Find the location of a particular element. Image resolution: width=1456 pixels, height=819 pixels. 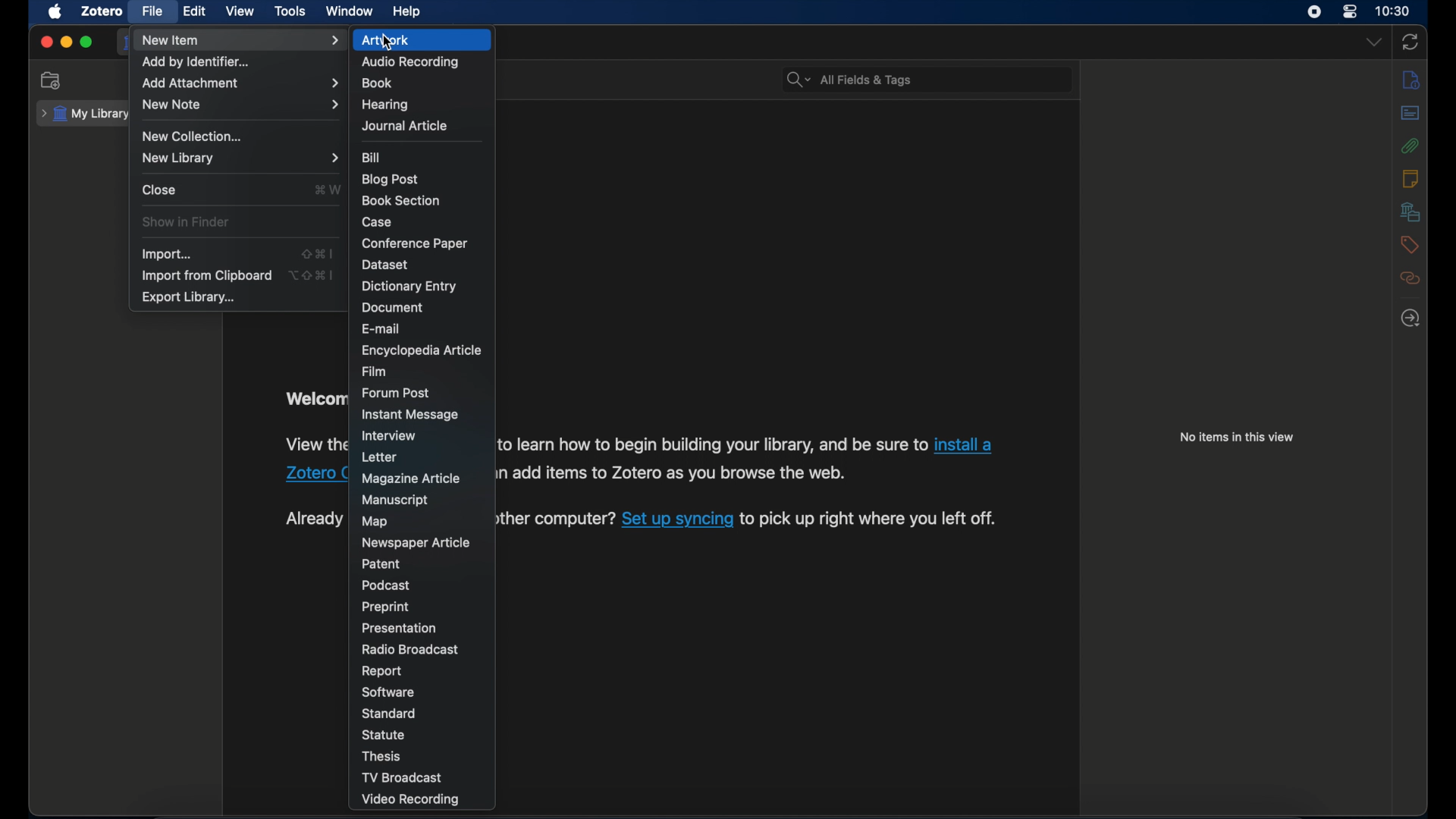

document is located at coordinates (393, 307).